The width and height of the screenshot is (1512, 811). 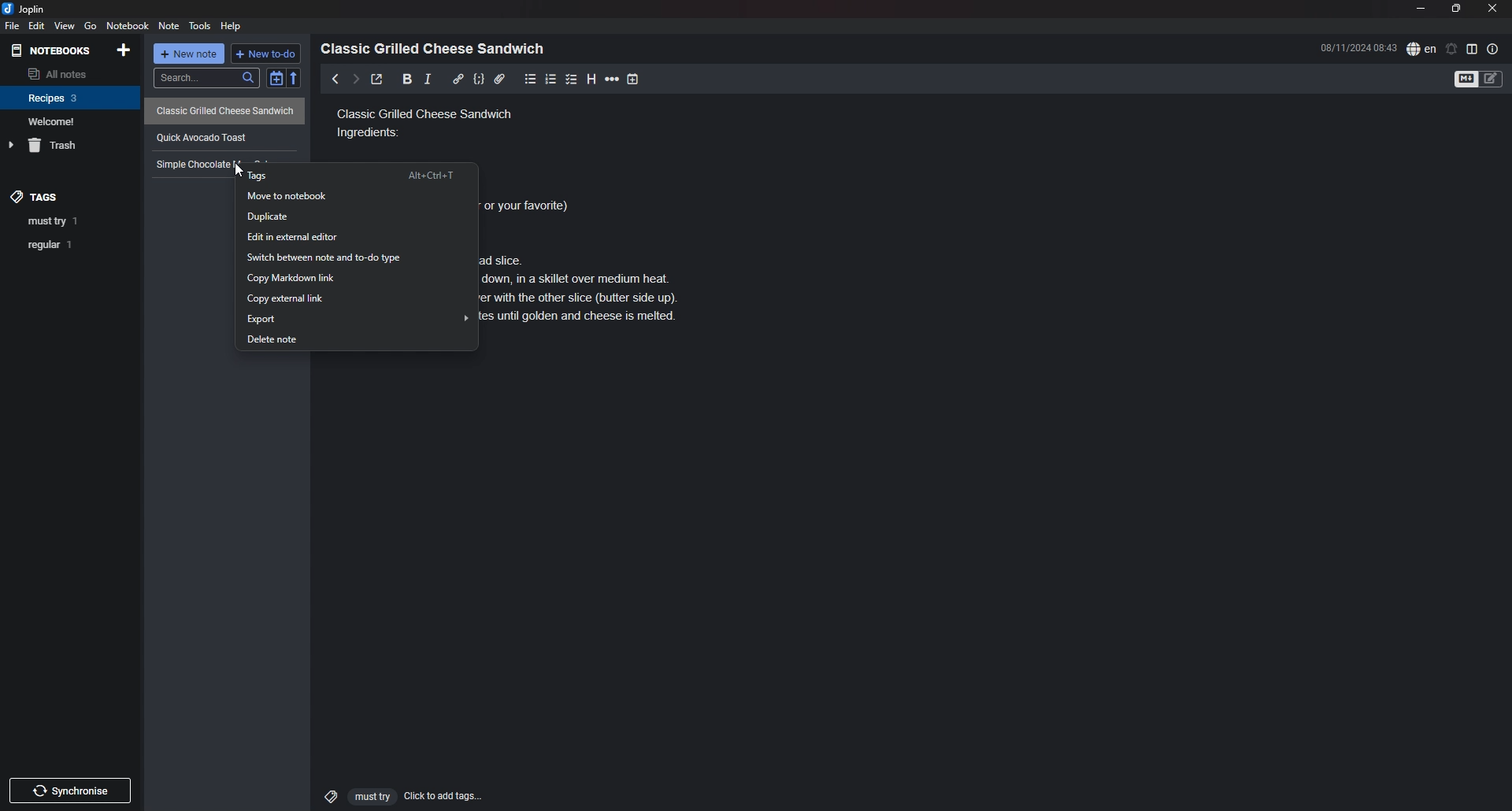 I want to click on notebooks, so click(x=53, y=50).